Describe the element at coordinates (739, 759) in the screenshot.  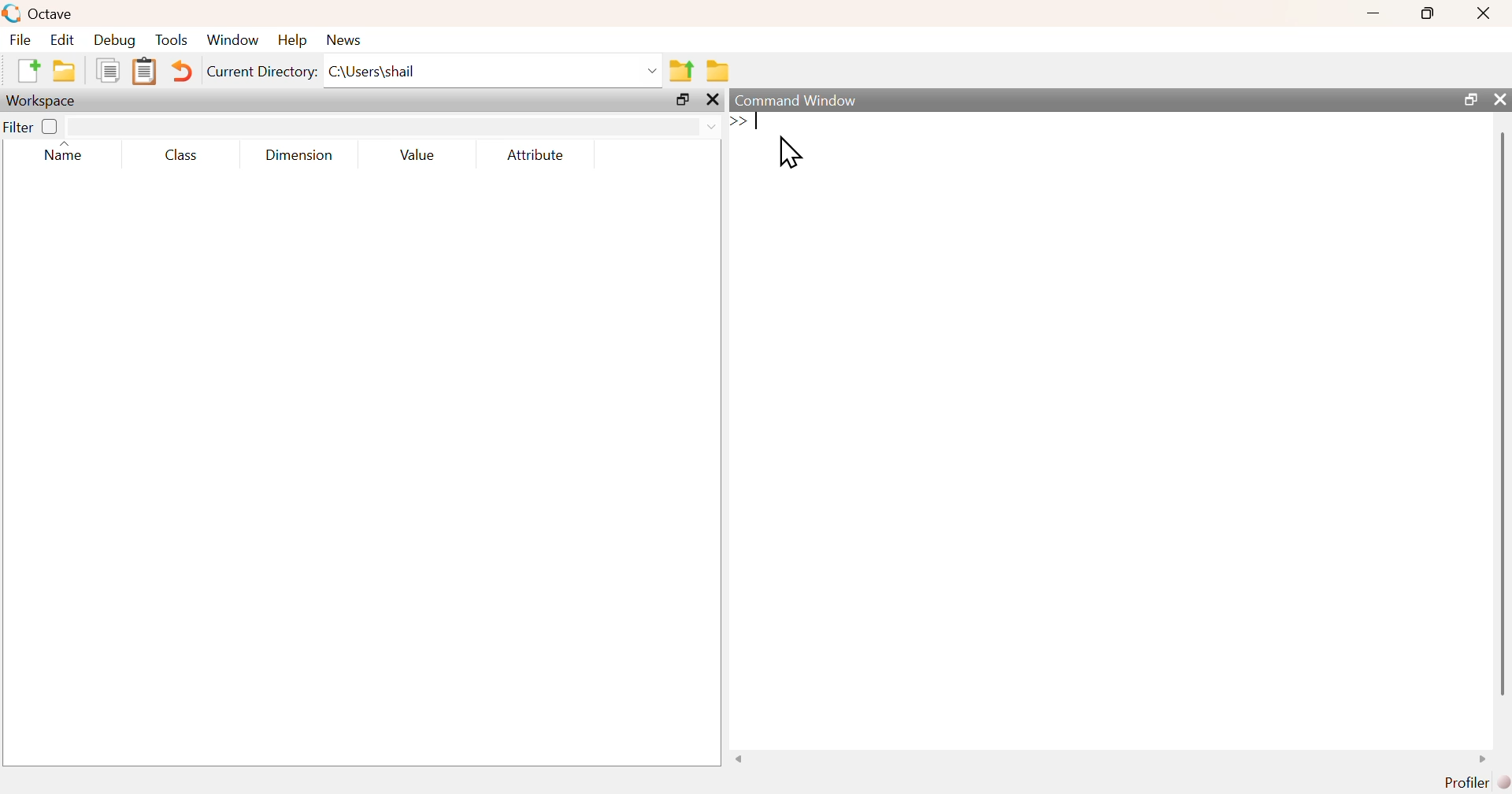
I see `scroll left` at that location.